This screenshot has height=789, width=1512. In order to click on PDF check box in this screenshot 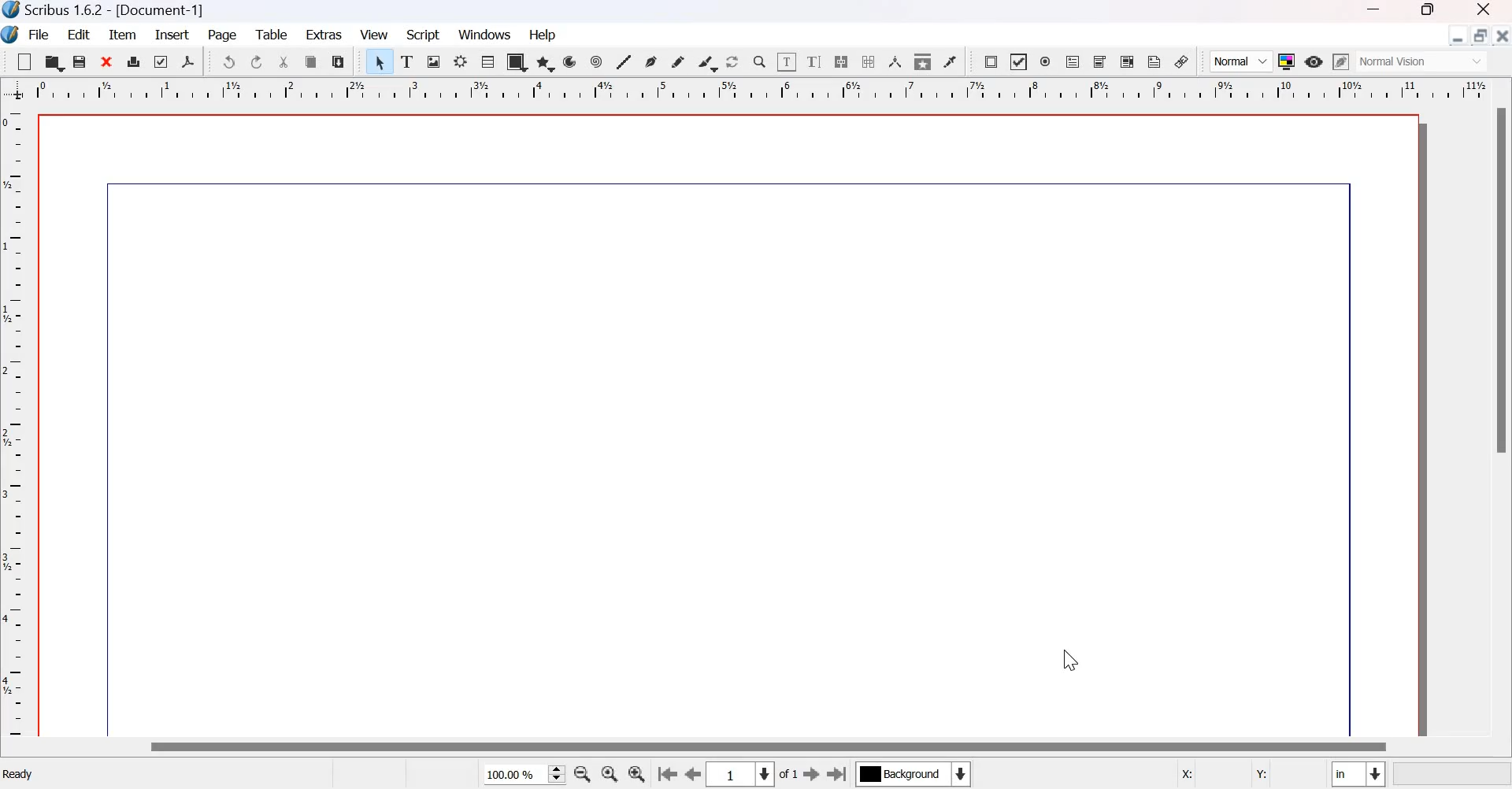, I will do `click(1019, 61)`.